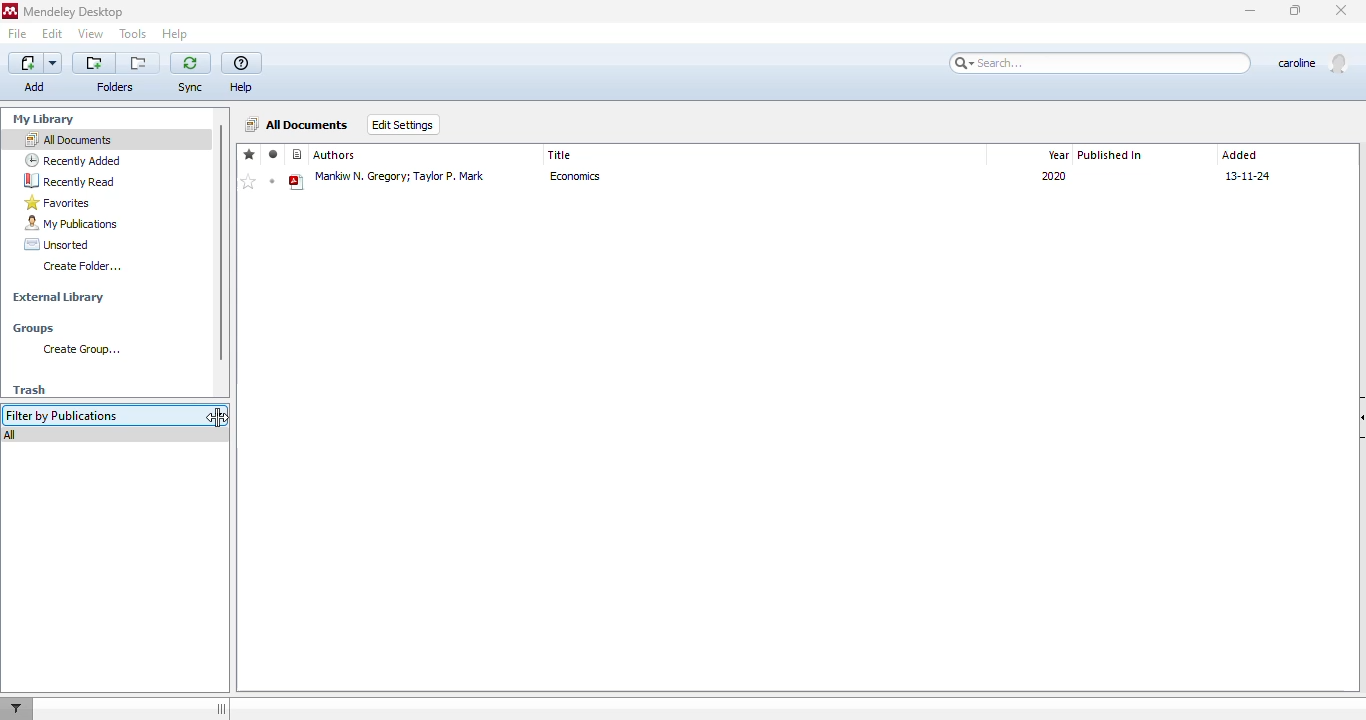  Describe the element at coordinates (584, 181) in the screenshot. I see `economics` at that location.